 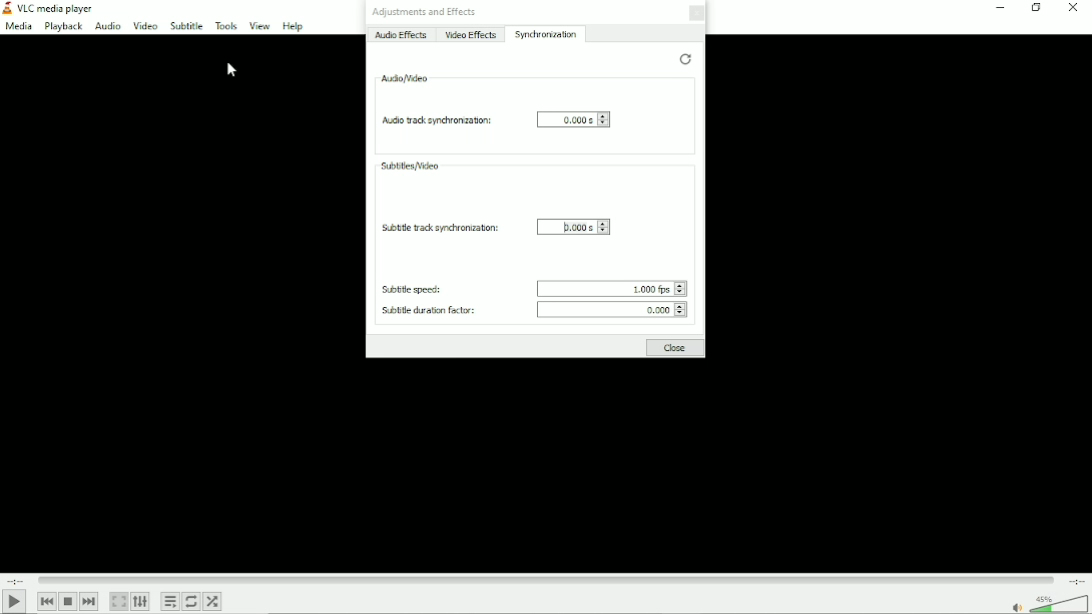 What do you see at coordinates (405, 165) in the screenshot?
I see `Subtitles/video` at bounding box center [405, 165].